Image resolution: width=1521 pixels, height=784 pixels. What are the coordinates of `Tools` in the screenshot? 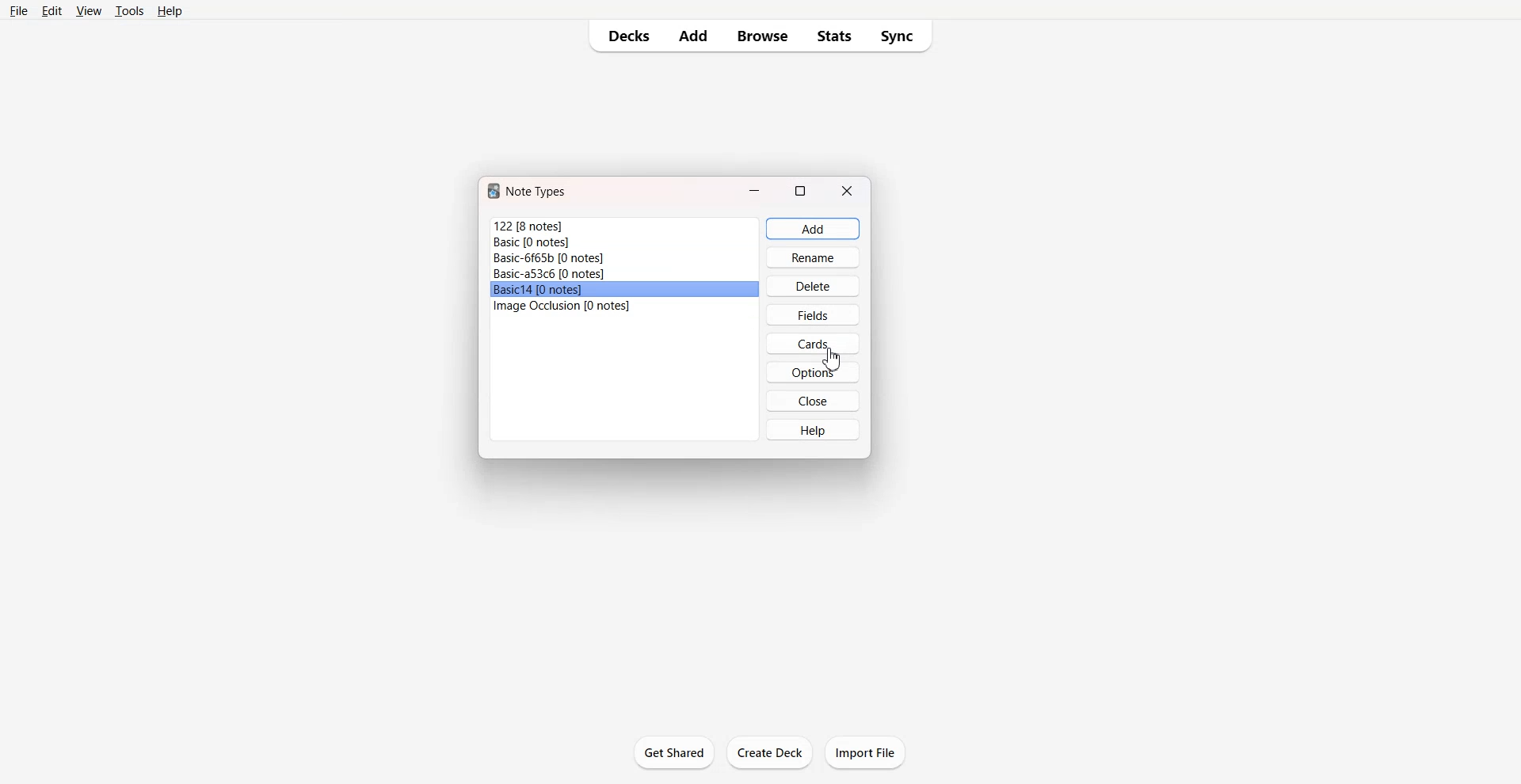 It's located at (129, 11).